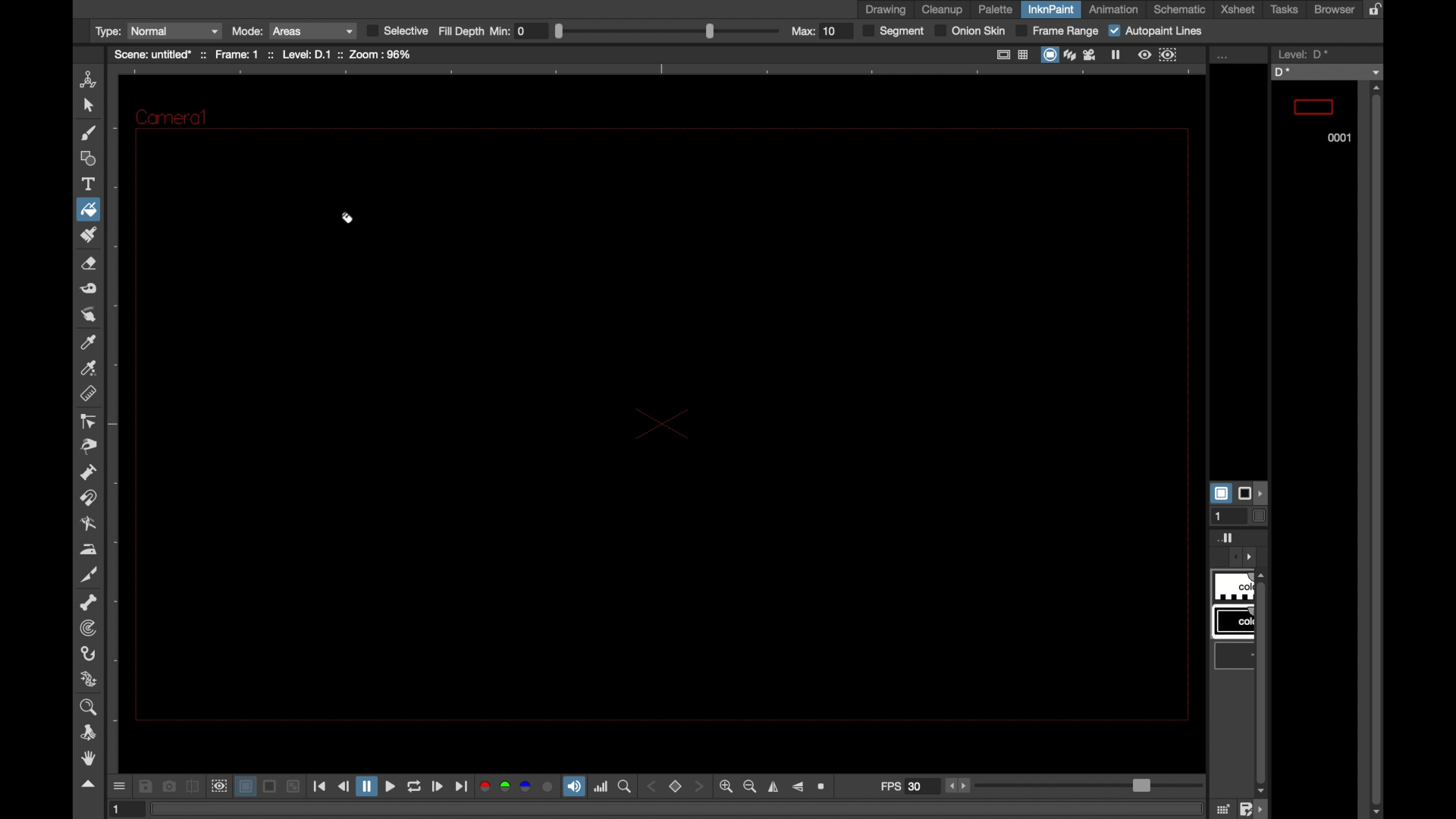 The image size is (1456, 819). What do you see at coordinates (520, 30) in the screenshot?
I see `Min: 0` at bounding box center [520, 30].